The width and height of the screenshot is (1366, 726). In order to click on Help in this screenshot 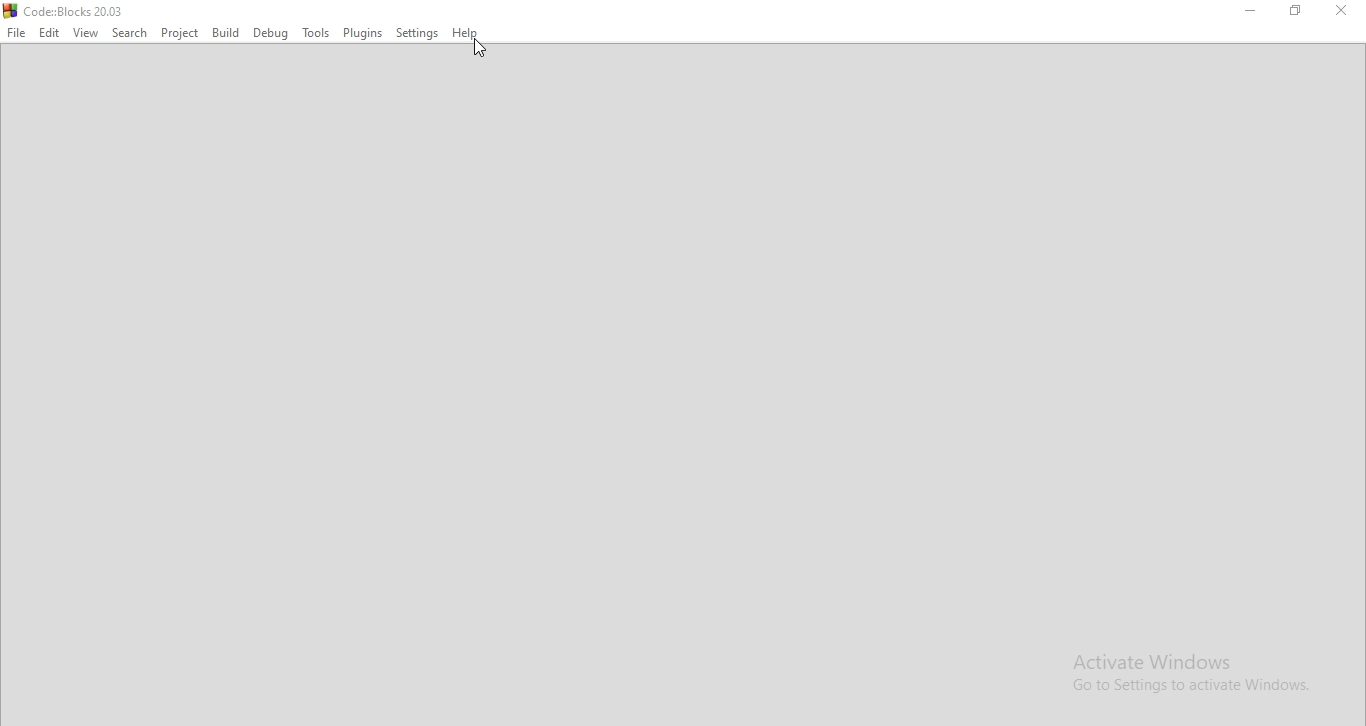, I will do `click(469, 35)`.